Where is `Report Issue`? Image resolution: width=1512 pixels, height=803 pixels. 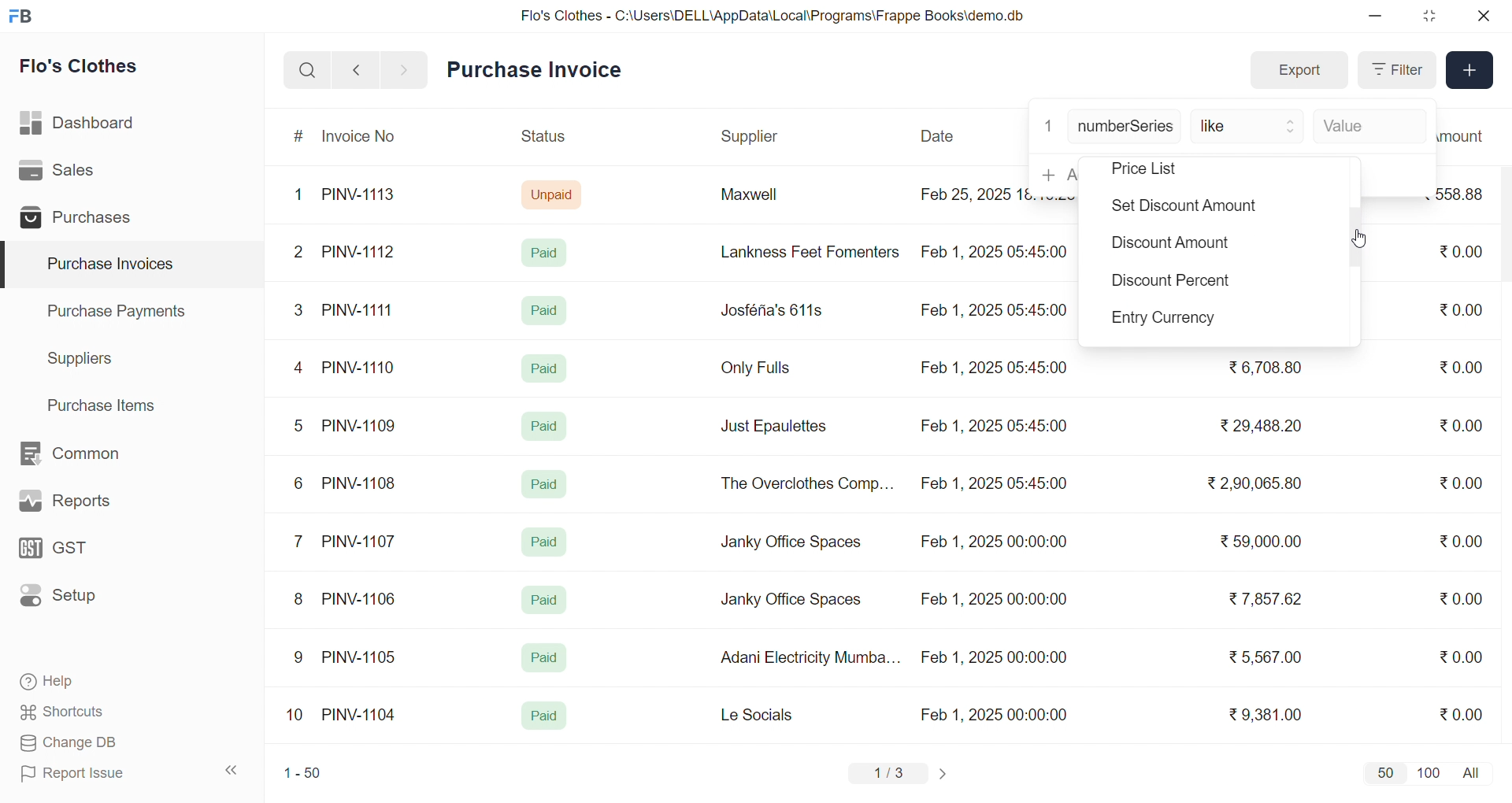 Report Issue is located at coordinates (98, 773).